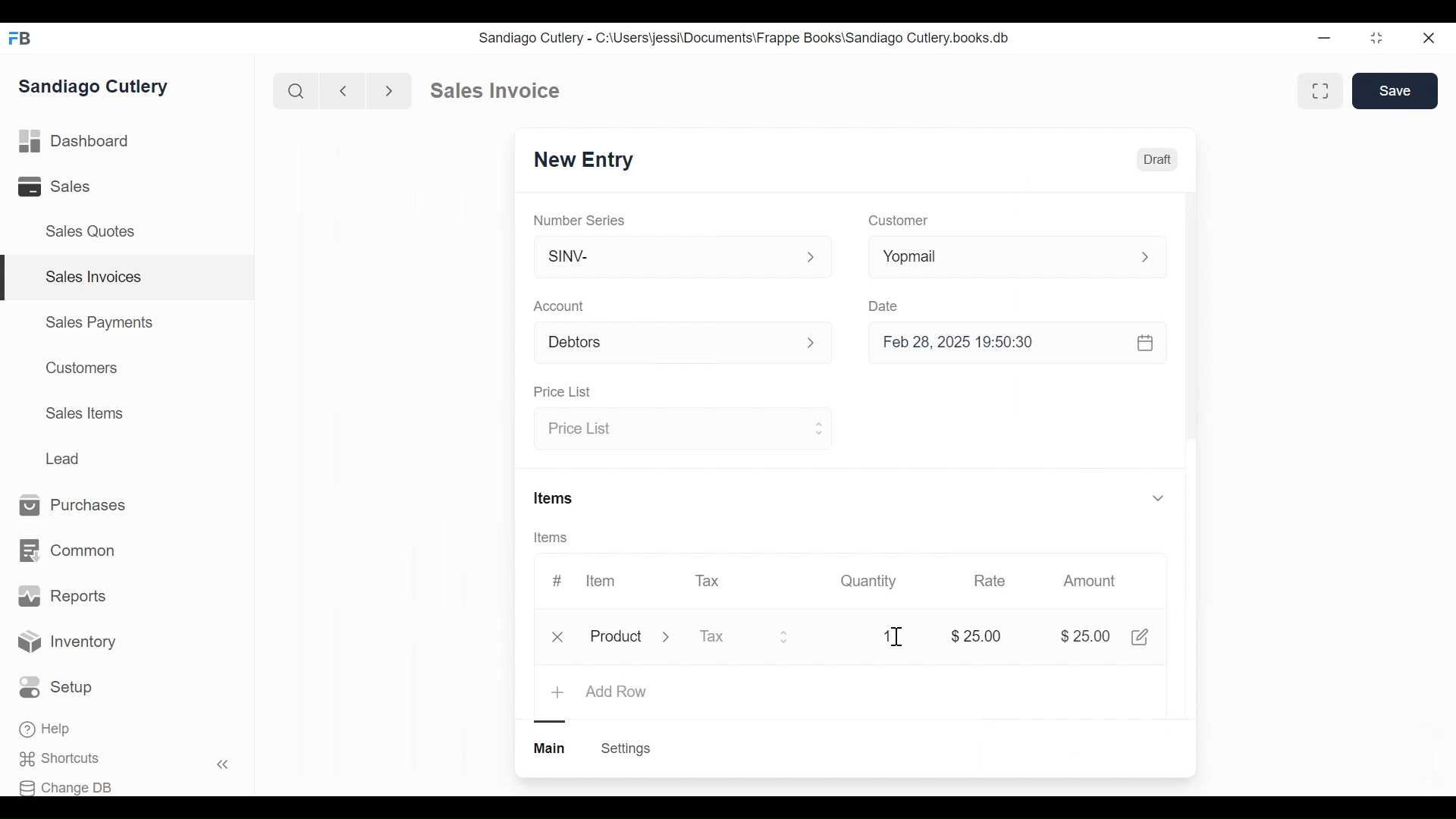 The height and width of the screenshot is (819, 1456). What do you see at coordinates (66, 788) in the screenshot?
I see `Change DB` at bounding box center [66, 788].